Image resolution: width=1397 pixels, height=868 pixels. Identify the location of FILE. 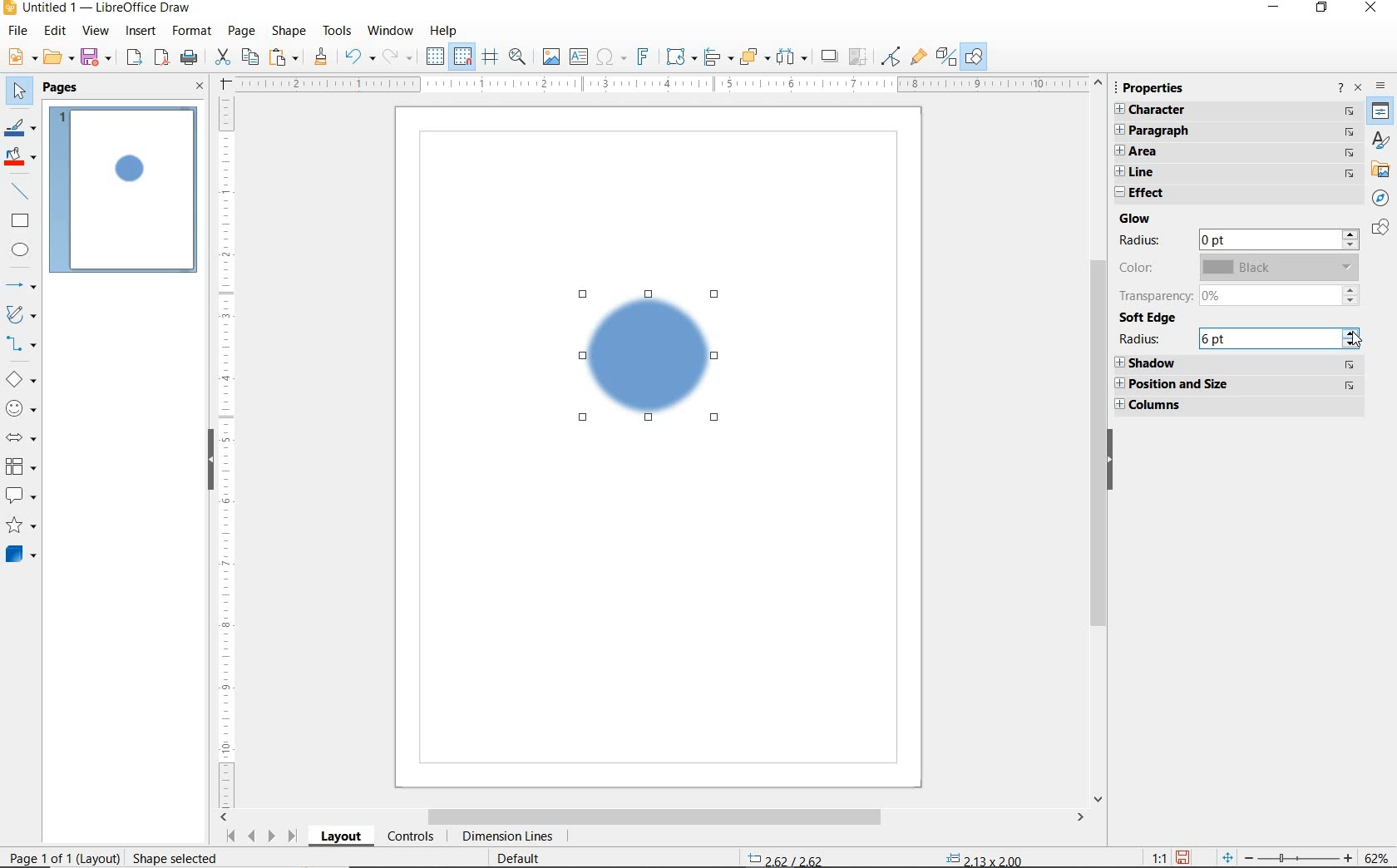
(21, 31).